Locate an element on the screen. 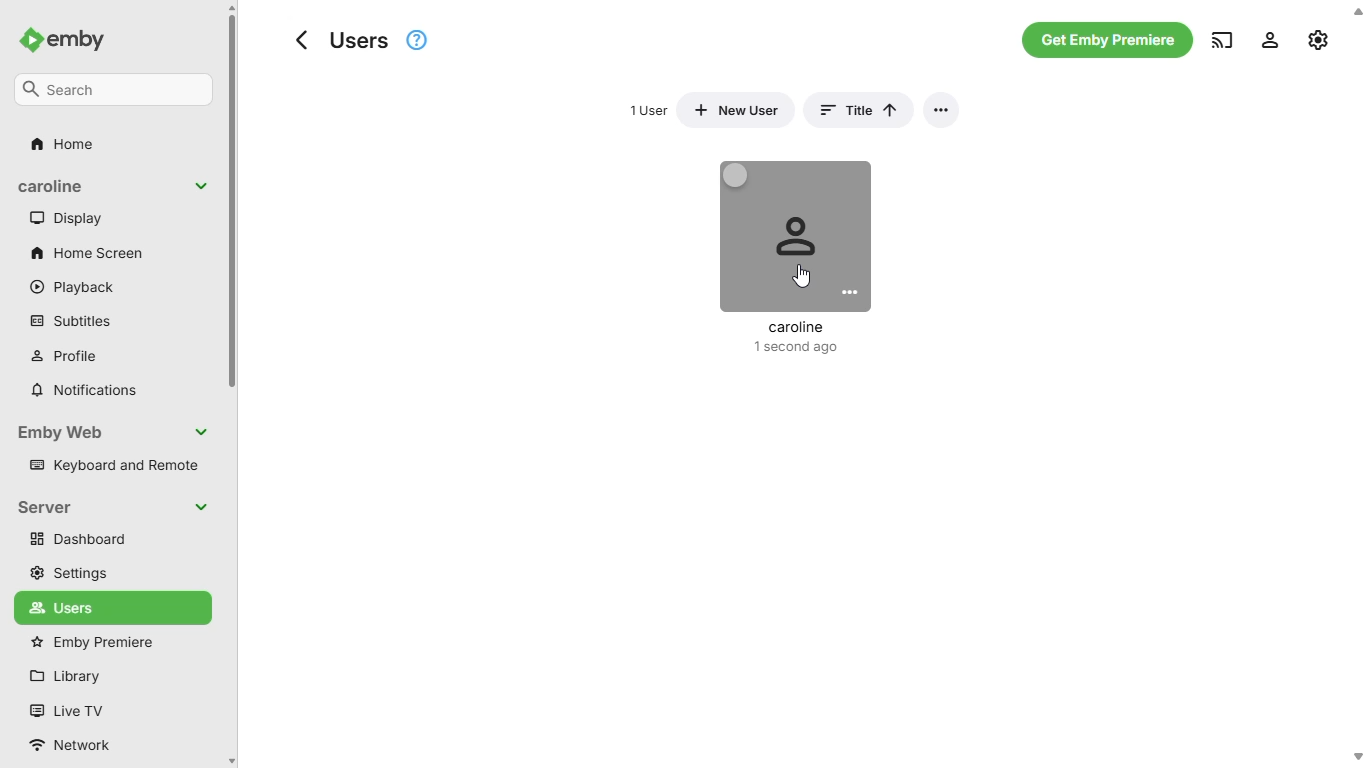 The width and height of the screenshot is (1366, 768). settings is located at coordinates (1270, 39).